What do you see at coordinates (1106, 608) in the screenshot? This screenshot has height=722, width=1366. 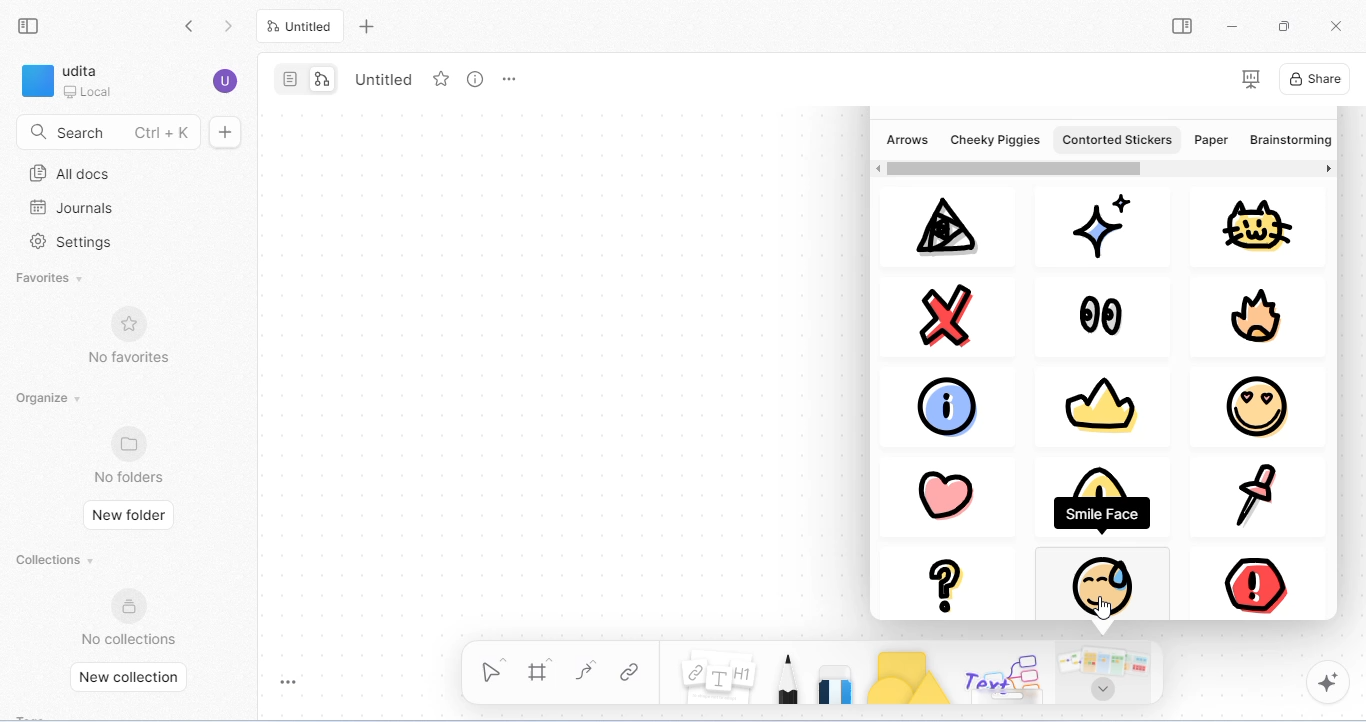 I see `cursor movement` at bounding box center [1106, 608].